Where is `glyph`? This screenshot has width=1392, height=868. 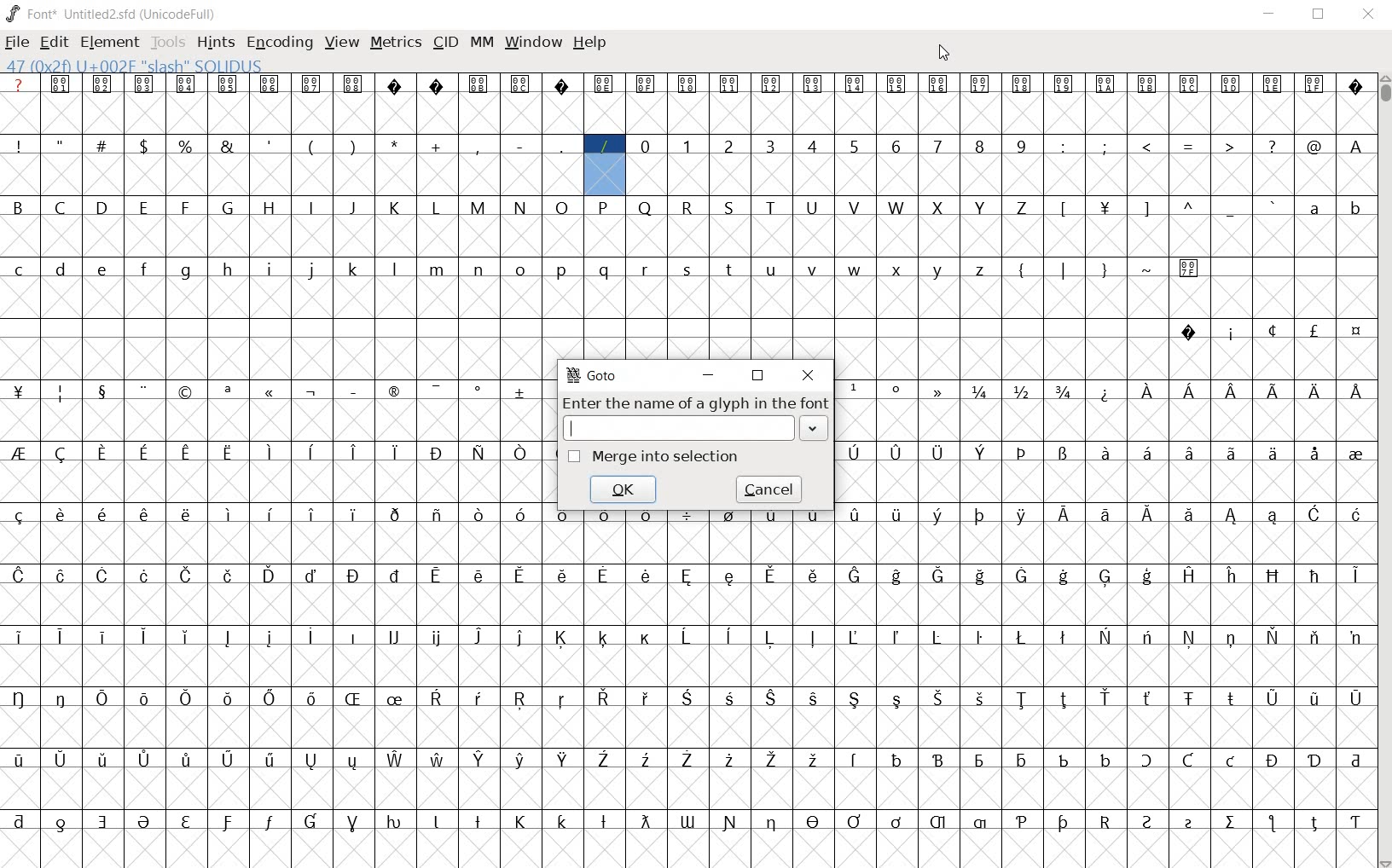 glyph is located at coordinates (143, 146).